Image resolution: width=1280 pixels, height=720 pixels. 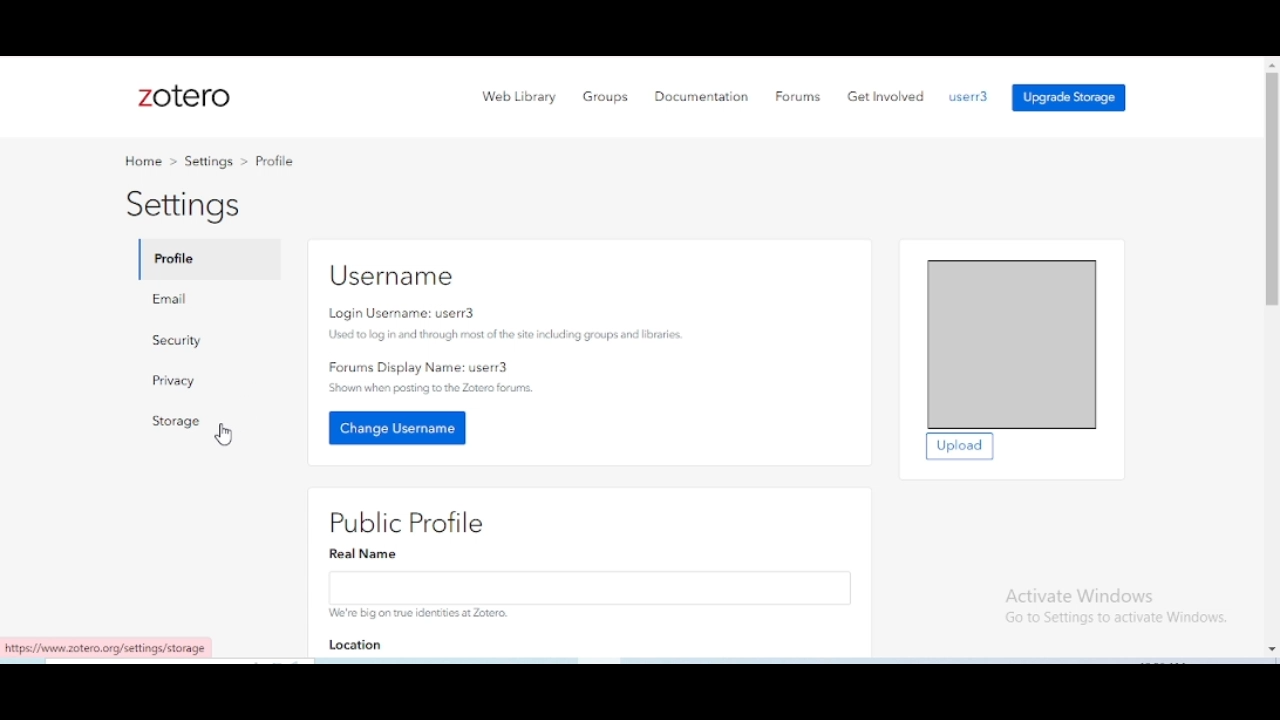 What do you see at coordinates (1272, 358) in the screenshot?
I see `vertical scroll bar` at bounding box center [1272, 358].